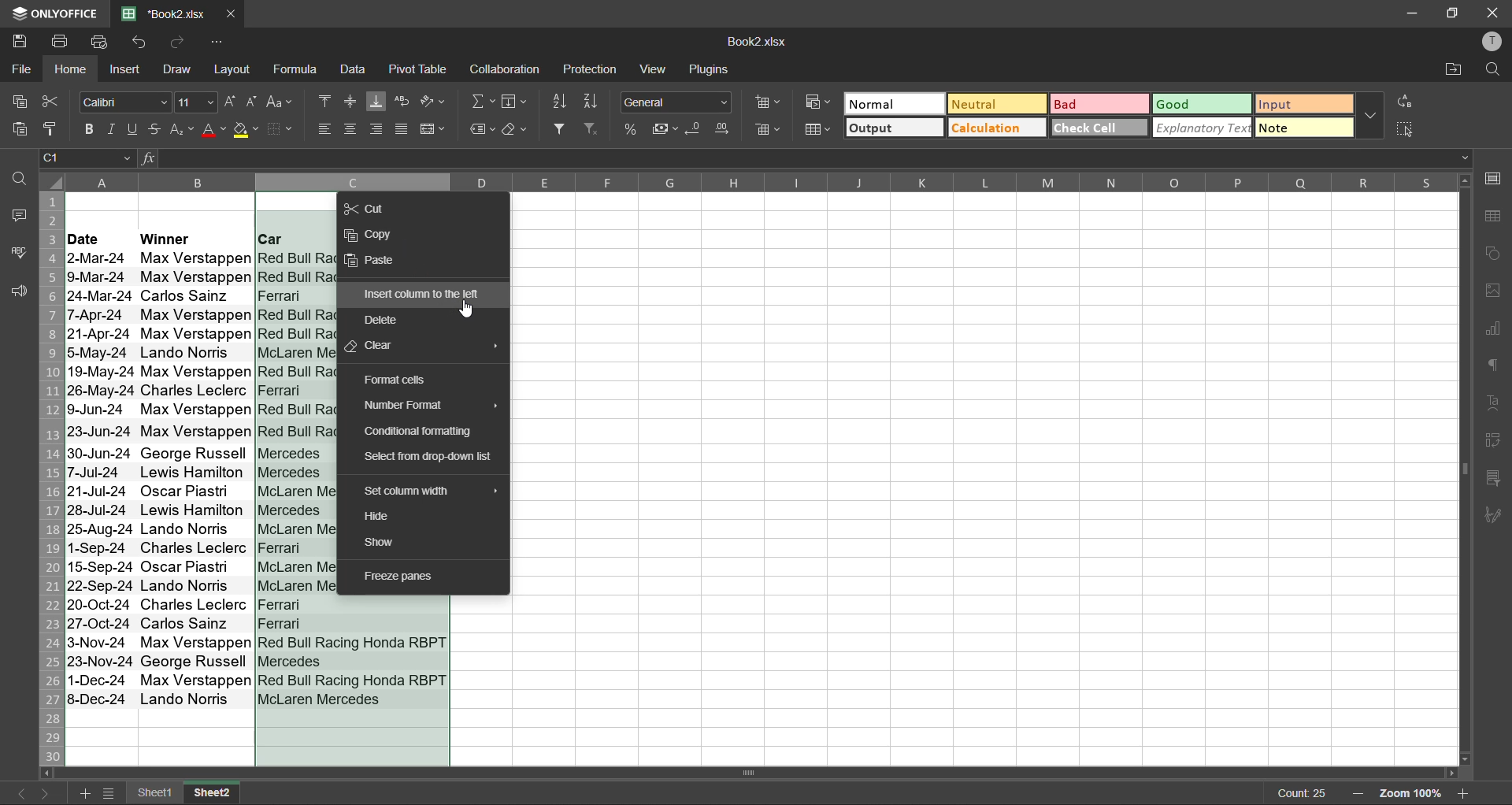 The image size is (1512, 805). I want to click on decrease decimal, so click(695, 130).